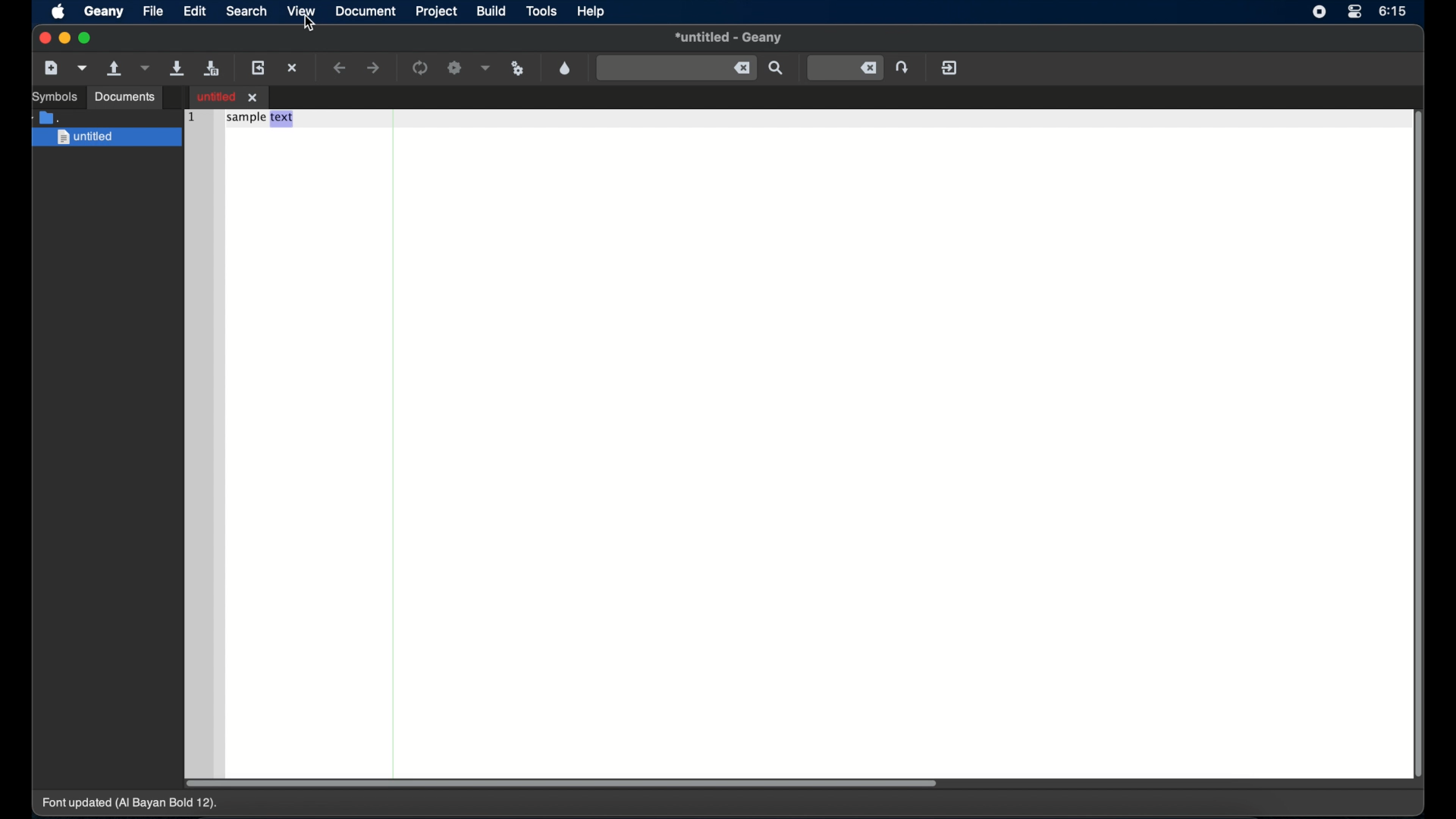 The height and width of the screenshot is (819, 1456). What do you see at coordinates (126, 97) in the screenshot?
I see `documents` at bounding box center [126, 97].